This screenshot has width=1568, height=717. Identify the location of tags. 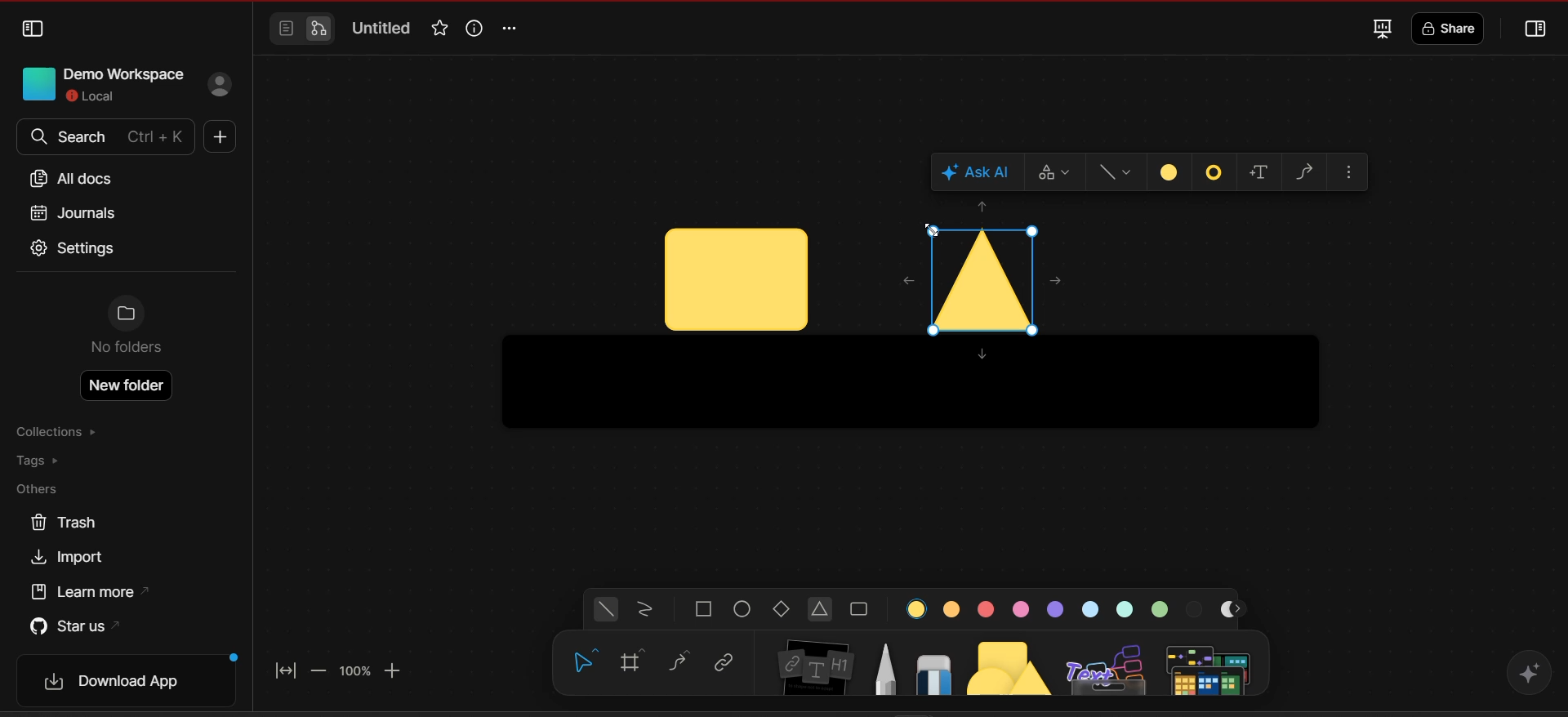
(50, 461).